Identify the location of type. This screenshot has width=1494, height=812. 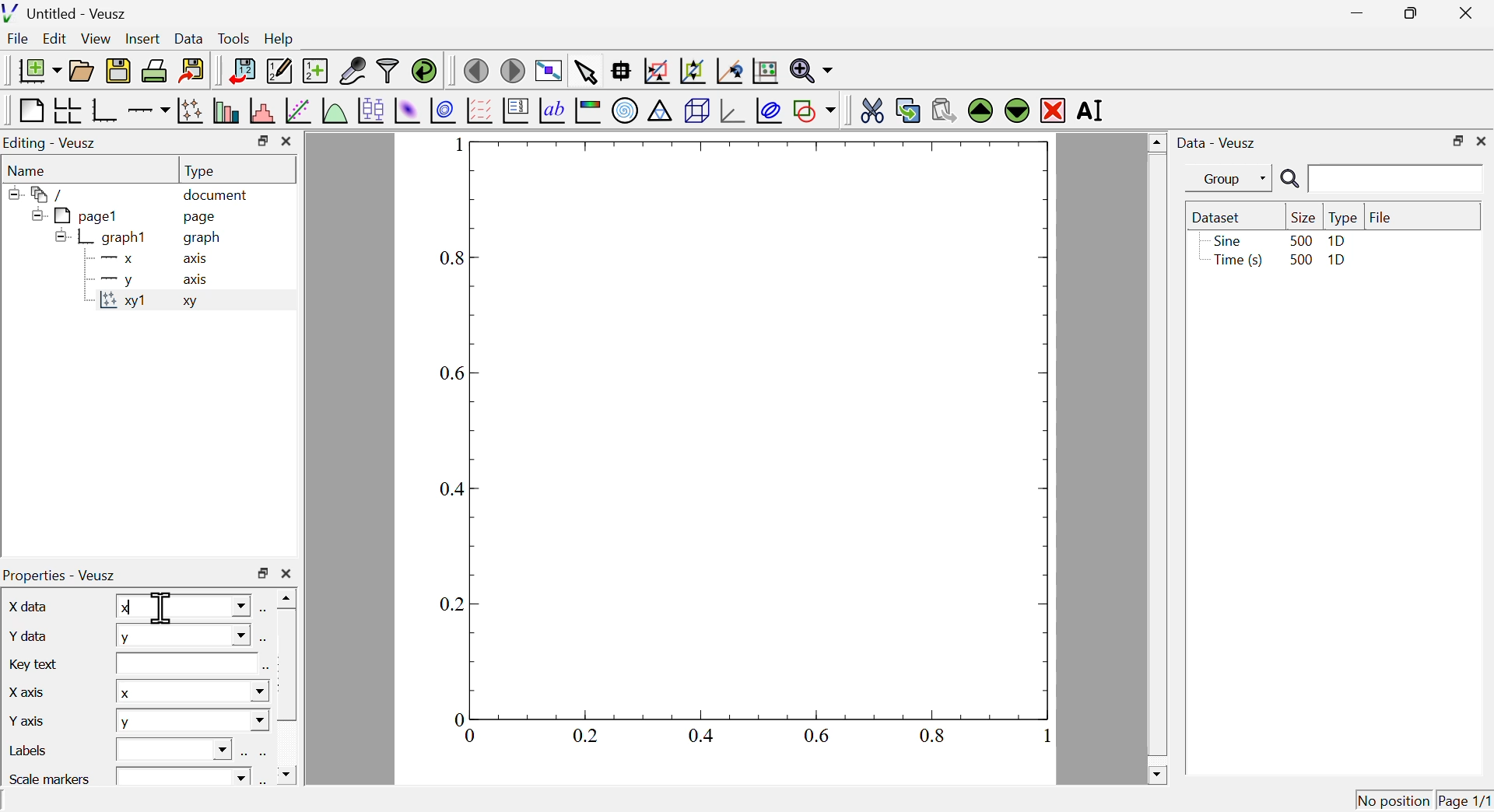
(202, 170).